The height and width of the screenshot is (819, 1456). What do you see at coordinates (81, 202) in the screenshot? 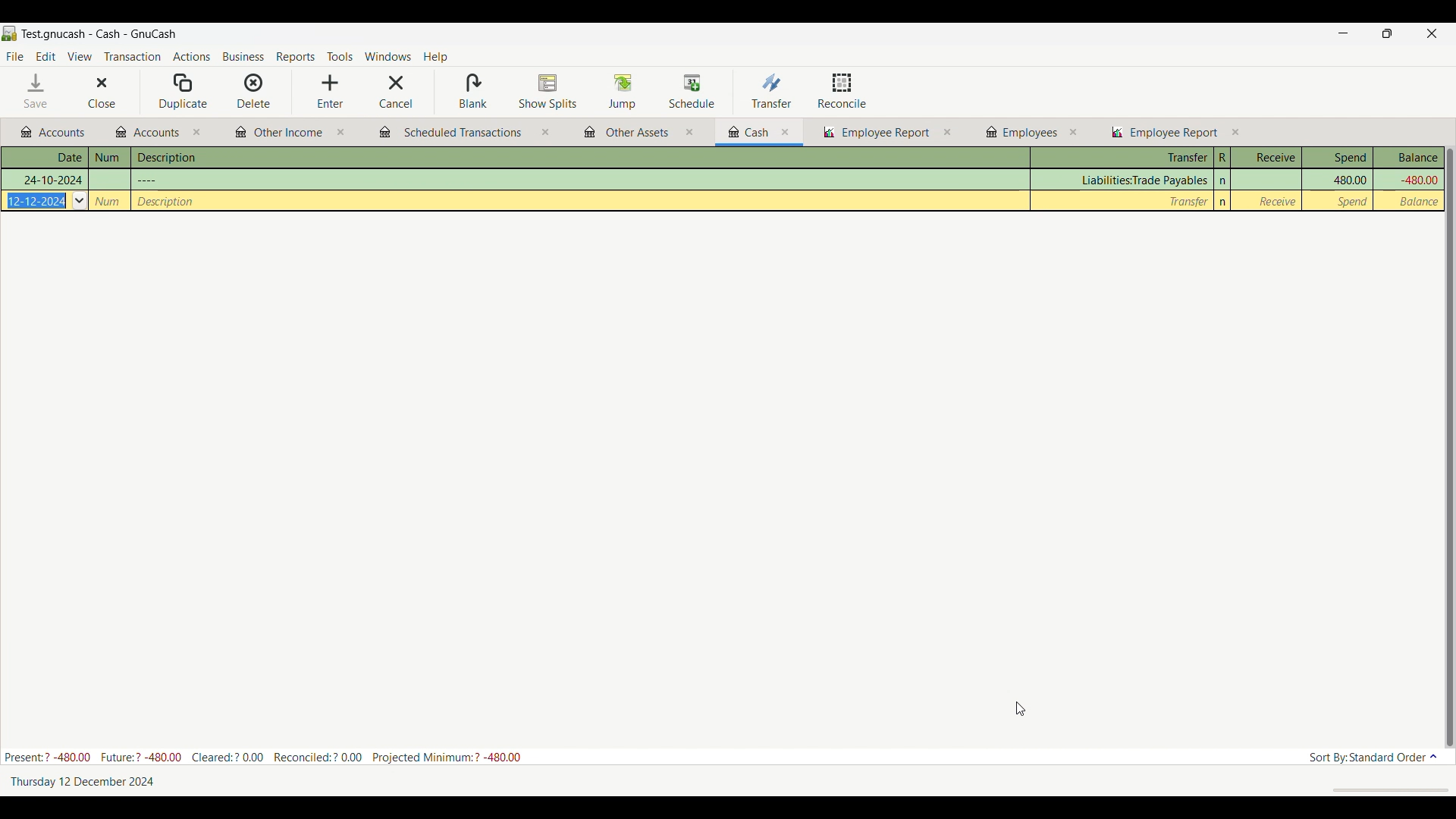
I see `` at bounding box center [81, 202].